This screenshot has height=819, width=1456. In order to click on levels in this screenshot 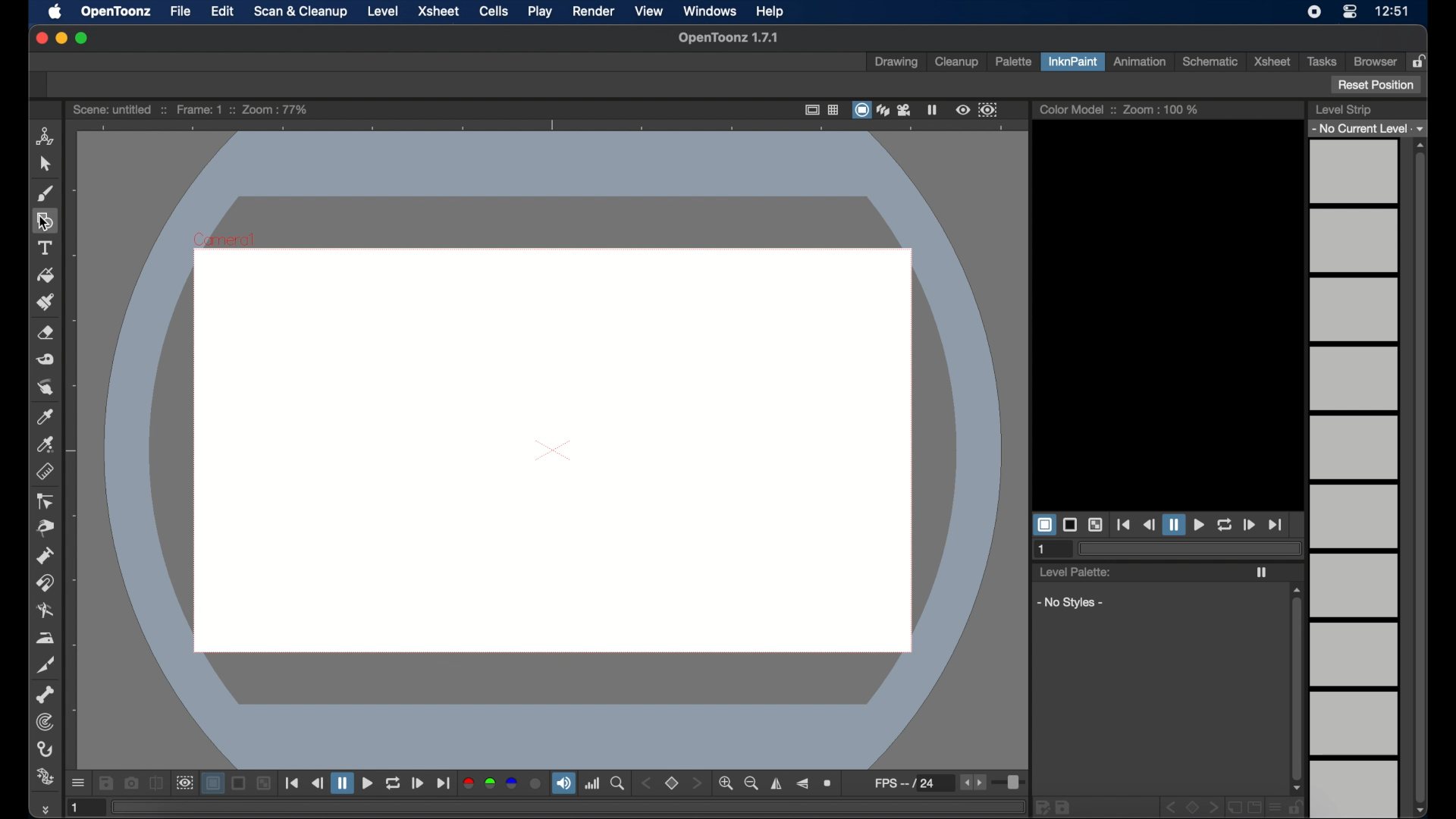, I will do `click(1356, 479)`.